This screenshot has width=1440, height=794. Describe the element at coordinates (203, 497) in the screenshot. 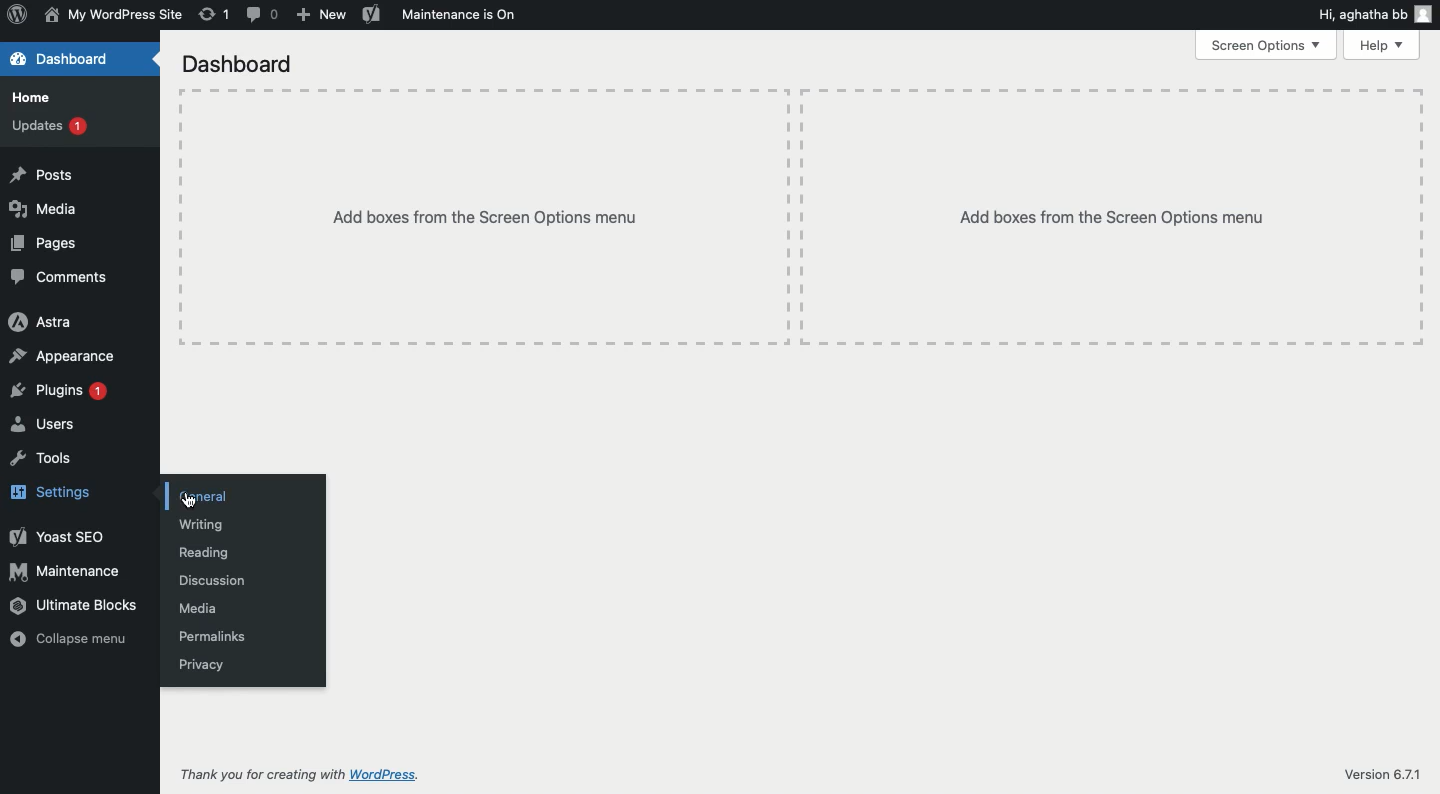

I see `General` at that location.